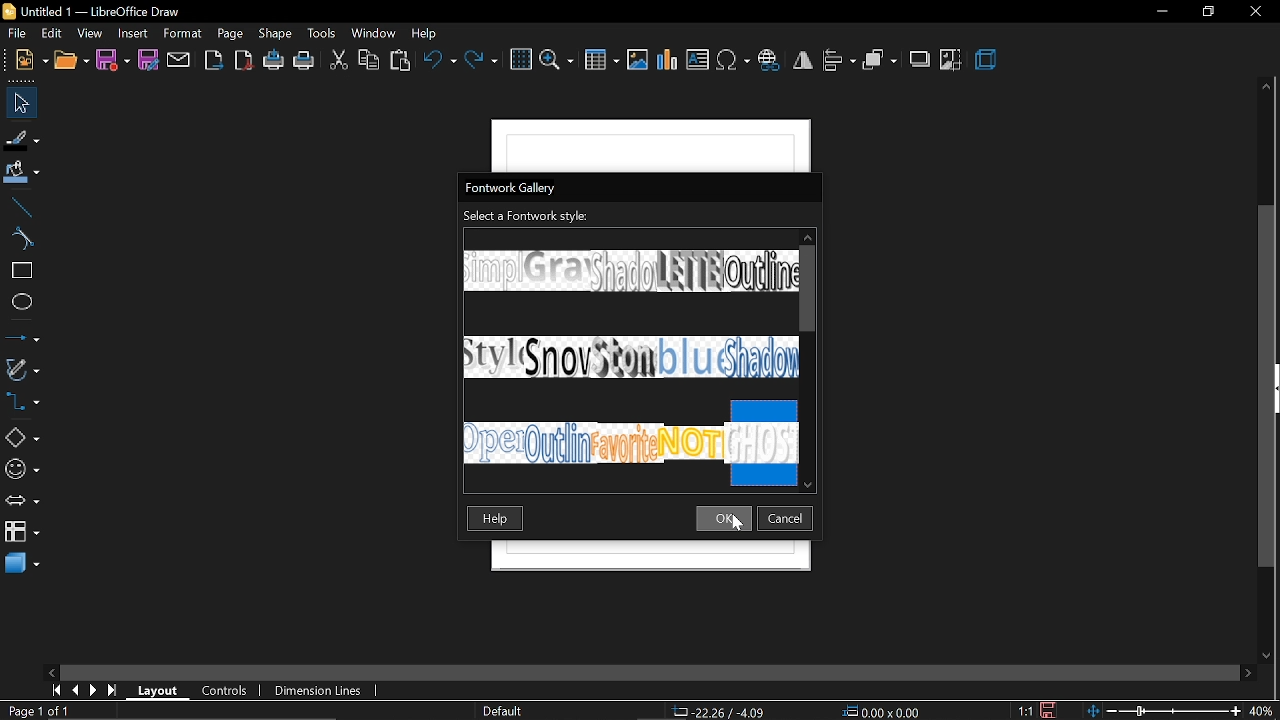 The image size is (1280, 720). What do you see at coordinates (808, 484) in the screenshot?
I see `move down` at bounding box center [808, 484].